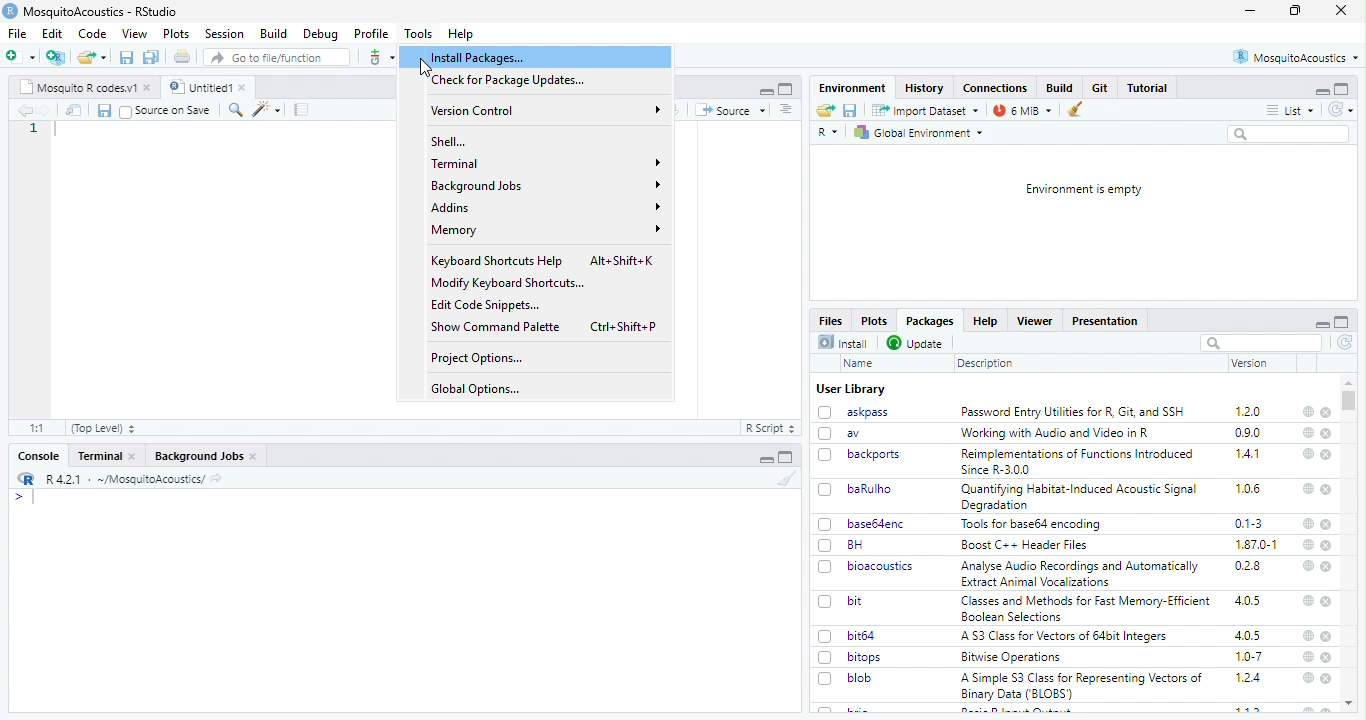 This screenshot has width=1366, height=720. Describe the element at coordinates (1085, 608) in the screenshot. I see `Classes and Methods for Fast Memory-Efficient
[rrr —` at that location.